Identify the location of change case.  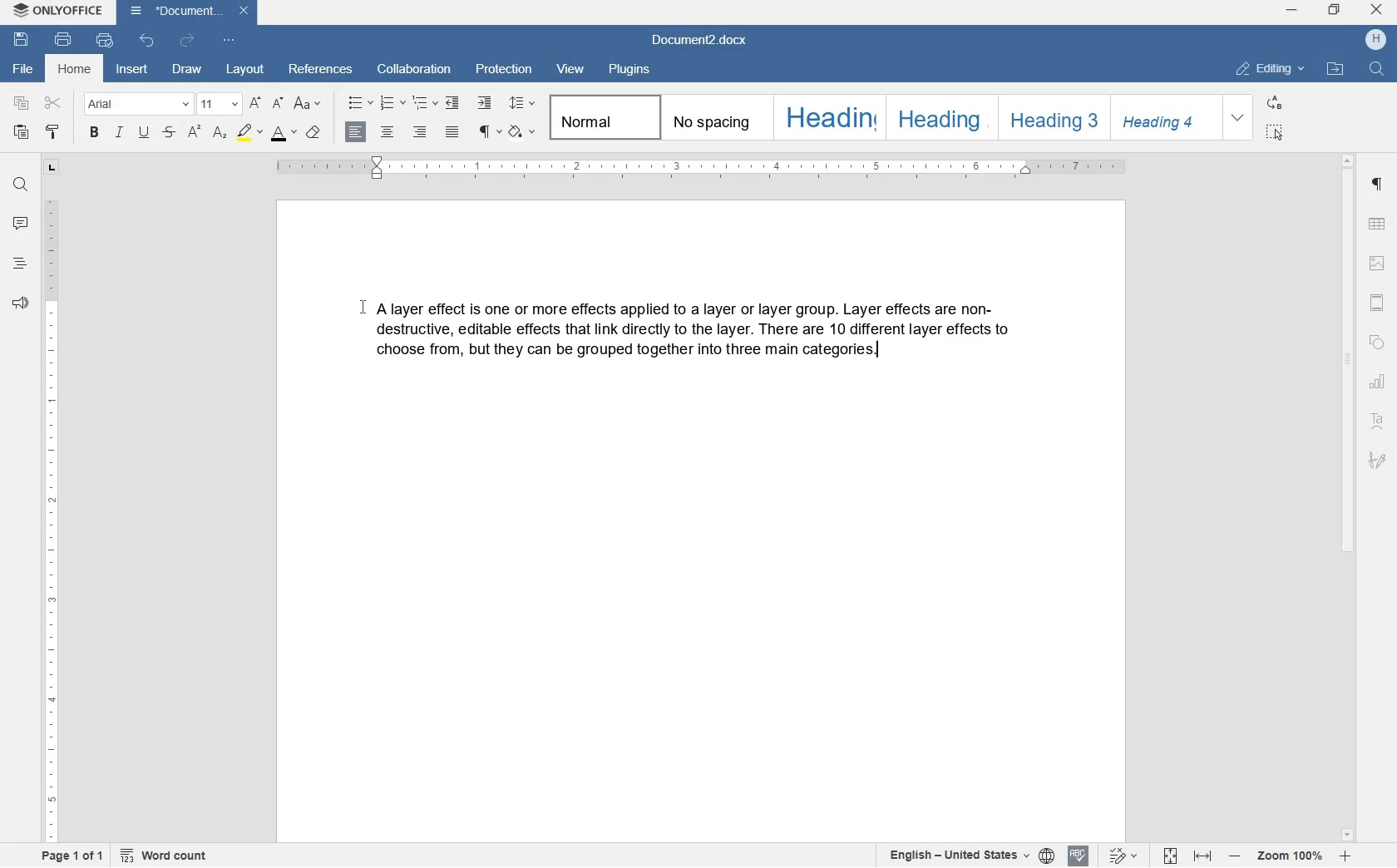
(309, 104).